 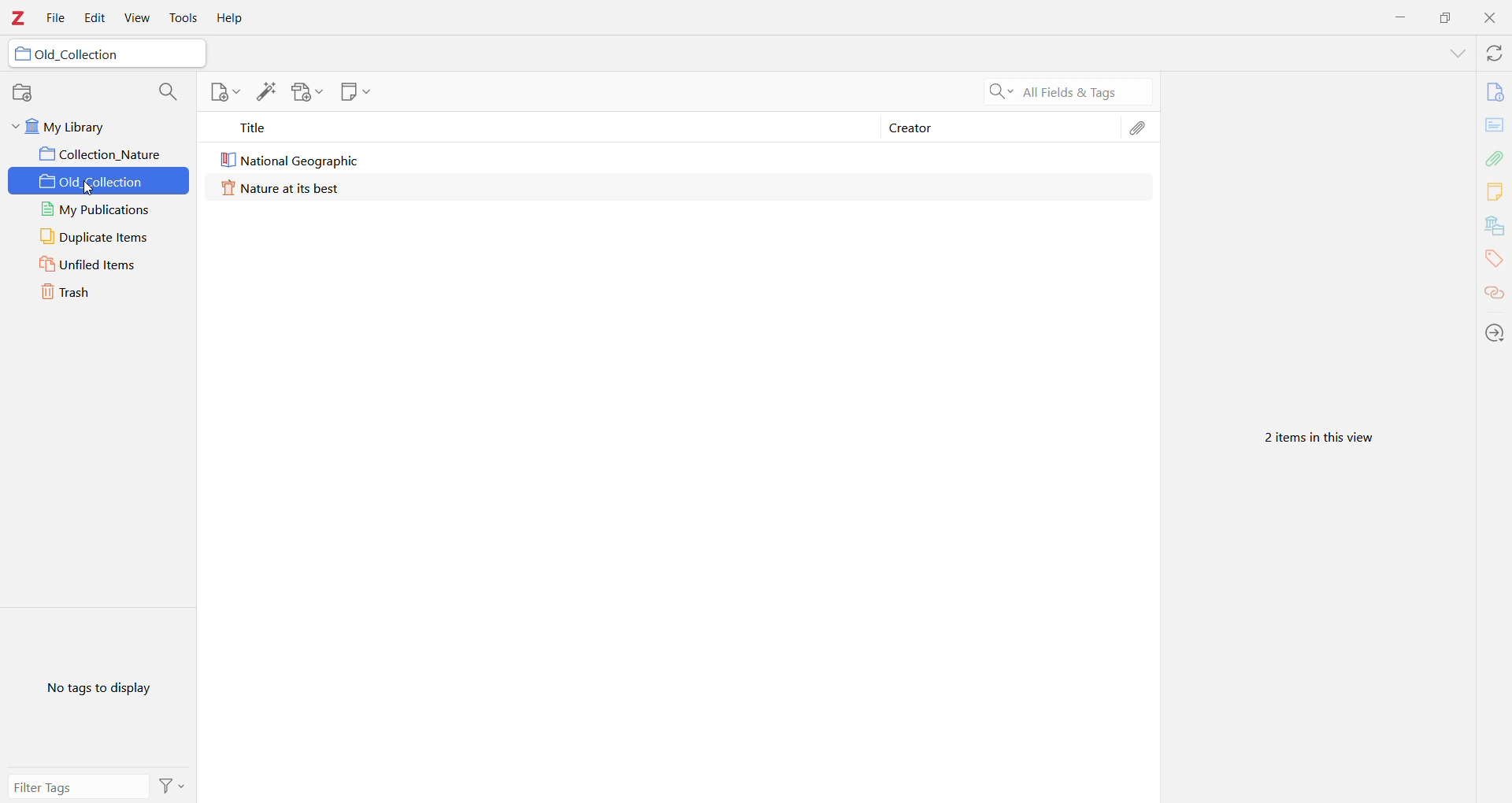 I want to click on Tags, so click(x=1493, y=261).